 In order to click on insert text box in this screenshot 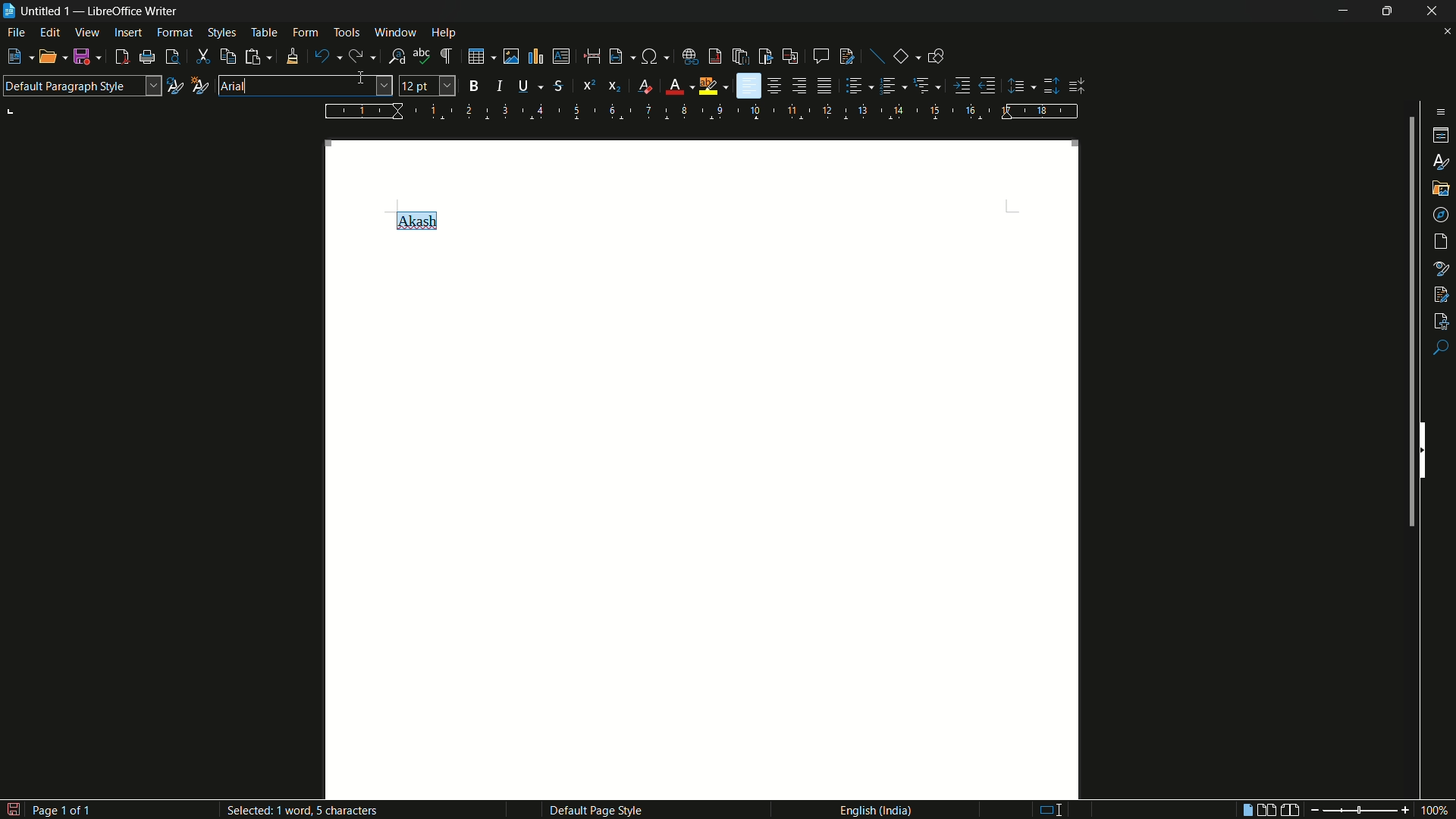, I will do `click(560, 56)`.